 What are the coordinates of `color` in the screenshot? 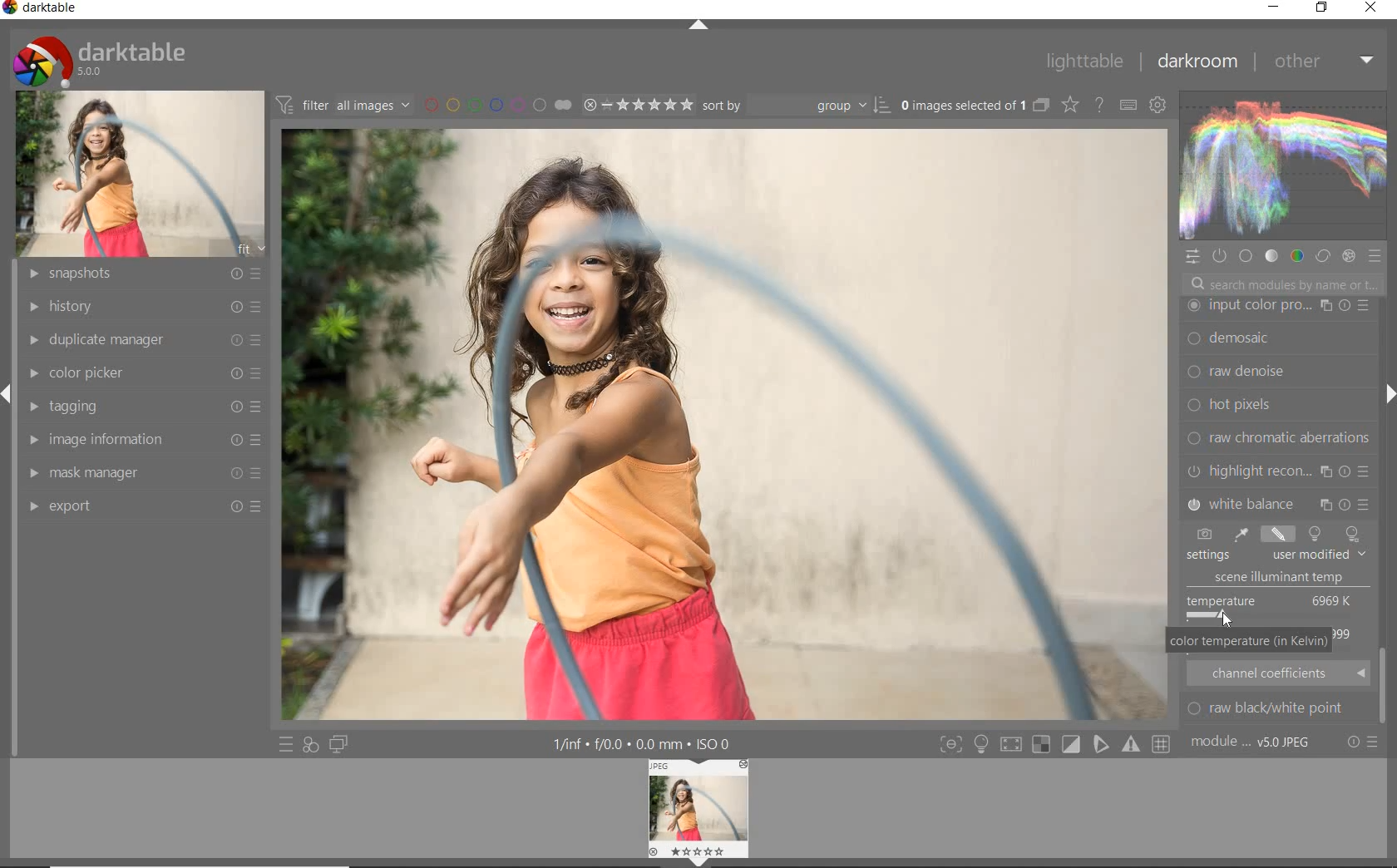 It's located at (1296, 255).